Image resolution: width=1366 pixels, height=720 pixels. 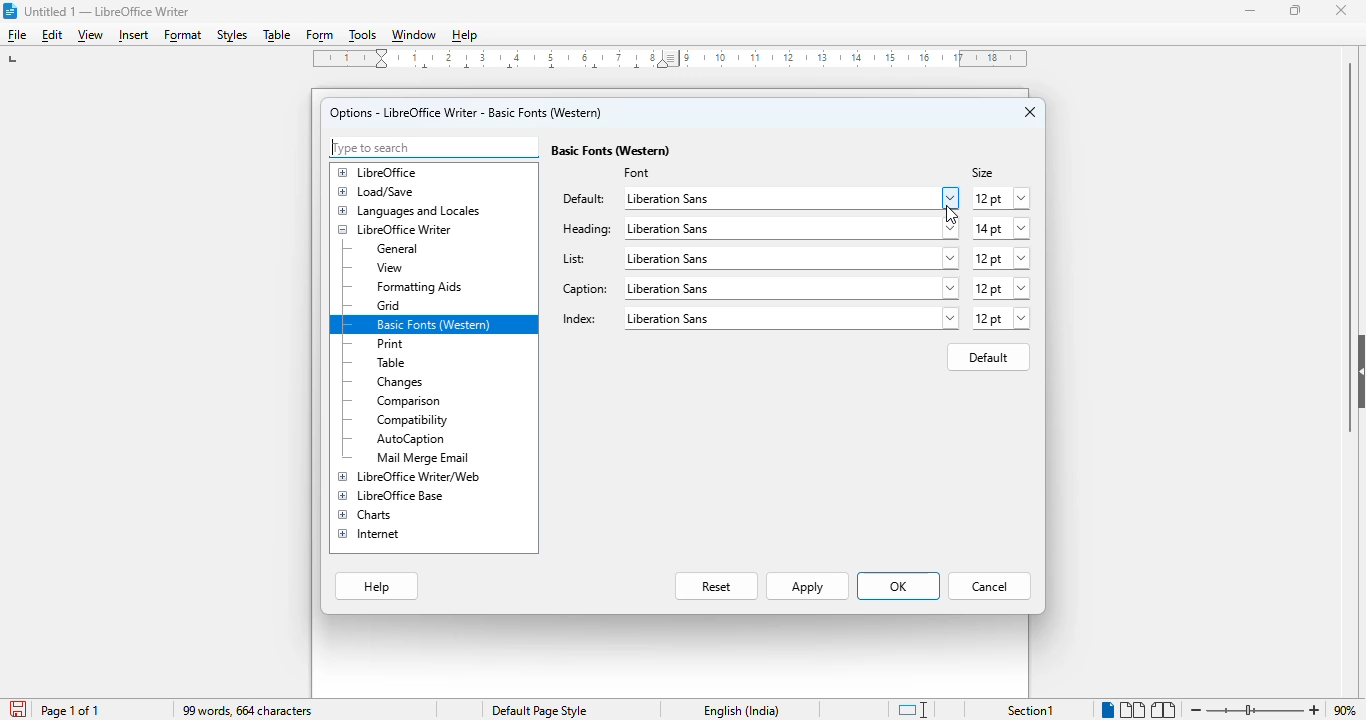 What do you see at coordinates (1251, 11) in the screenshot?
I see `minimize` at bounding box center [1251, 11].